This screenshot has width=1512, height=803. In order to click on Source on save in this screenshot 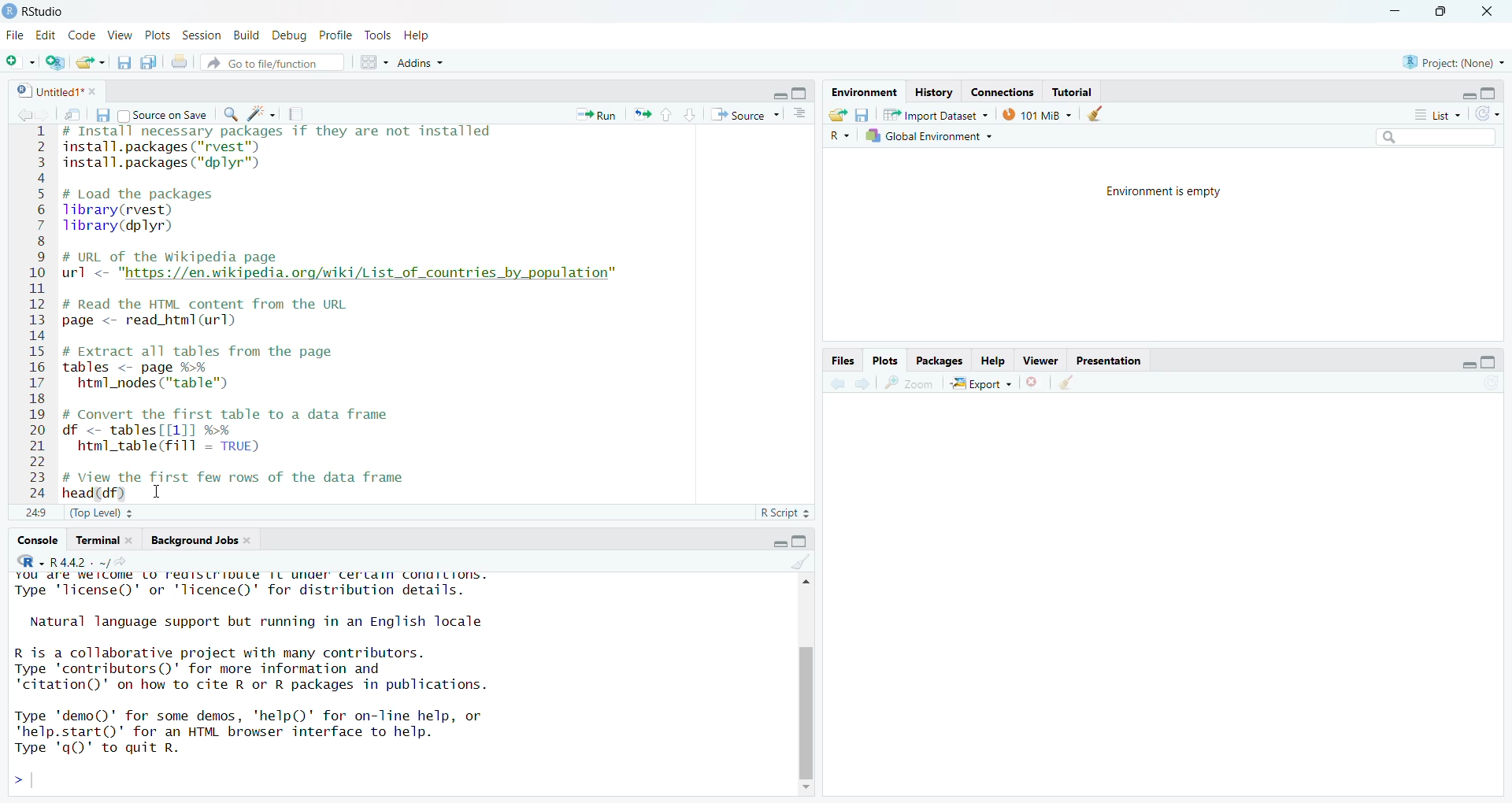, I will do `click(164, 115)`.